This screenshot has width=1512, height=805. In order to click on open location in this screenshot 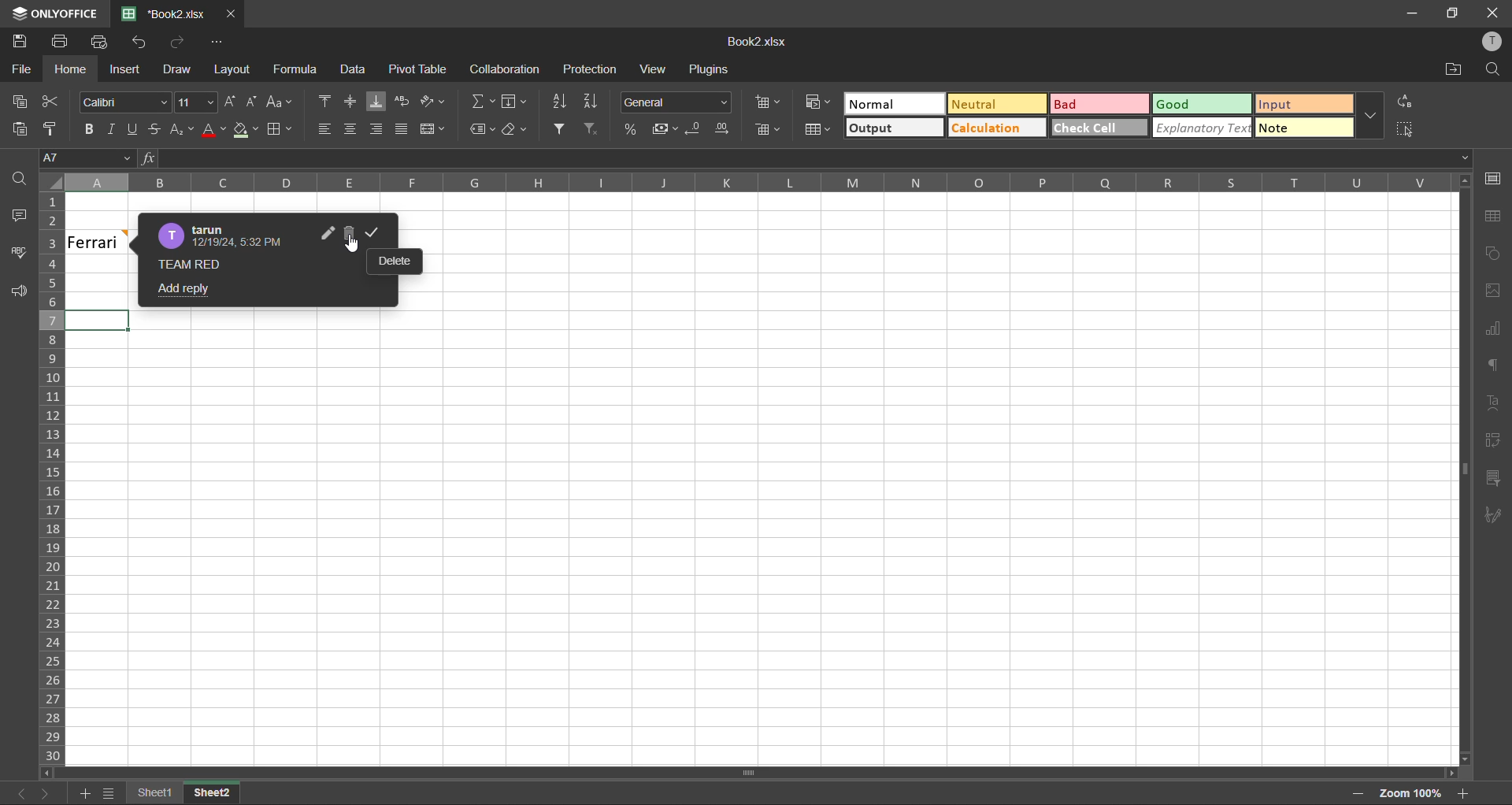, I will do `click(1455, 72)`.